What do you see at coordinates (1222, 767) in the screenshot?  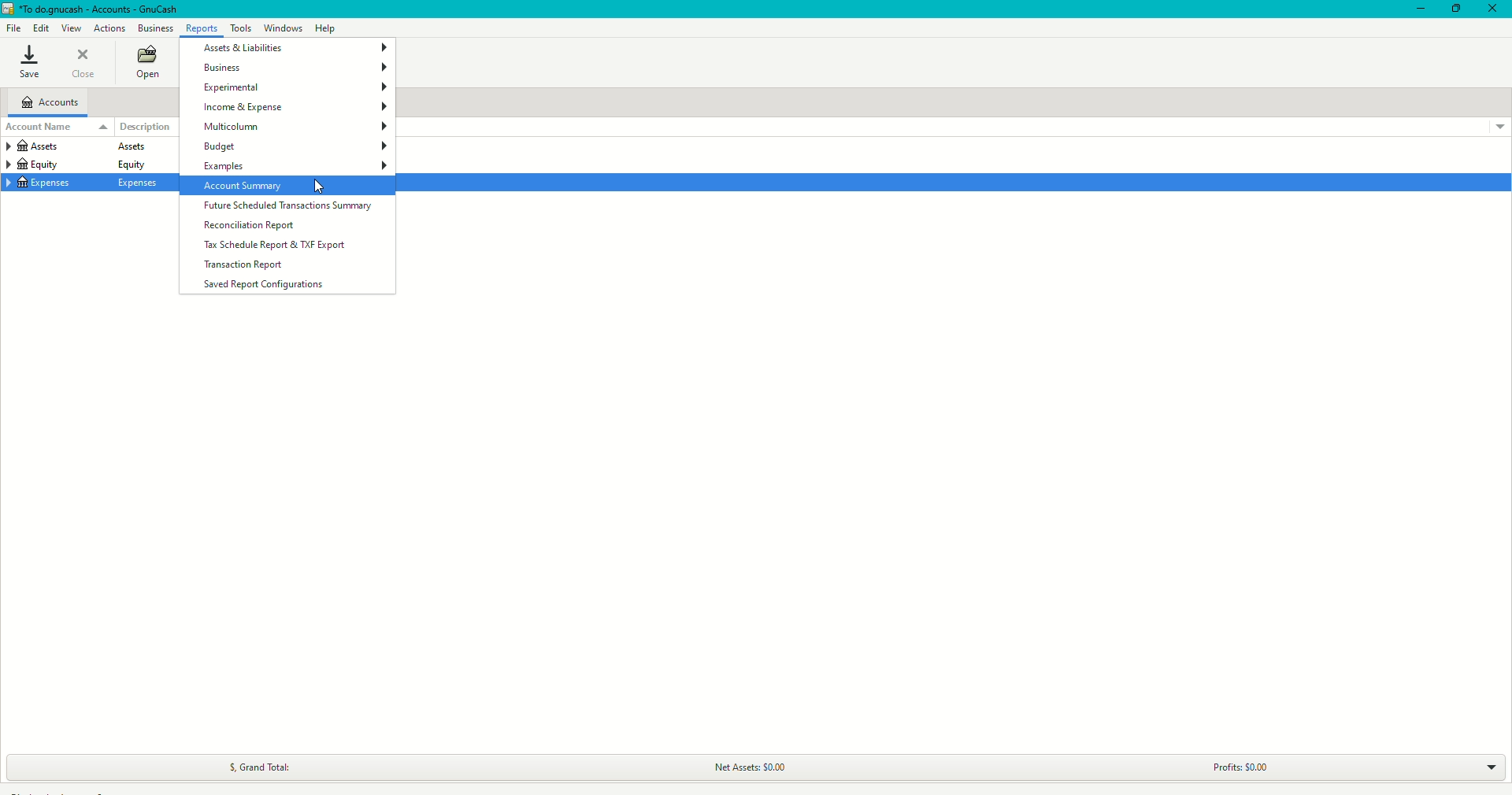 I see `Profits` at bounding box center [1222, 767].